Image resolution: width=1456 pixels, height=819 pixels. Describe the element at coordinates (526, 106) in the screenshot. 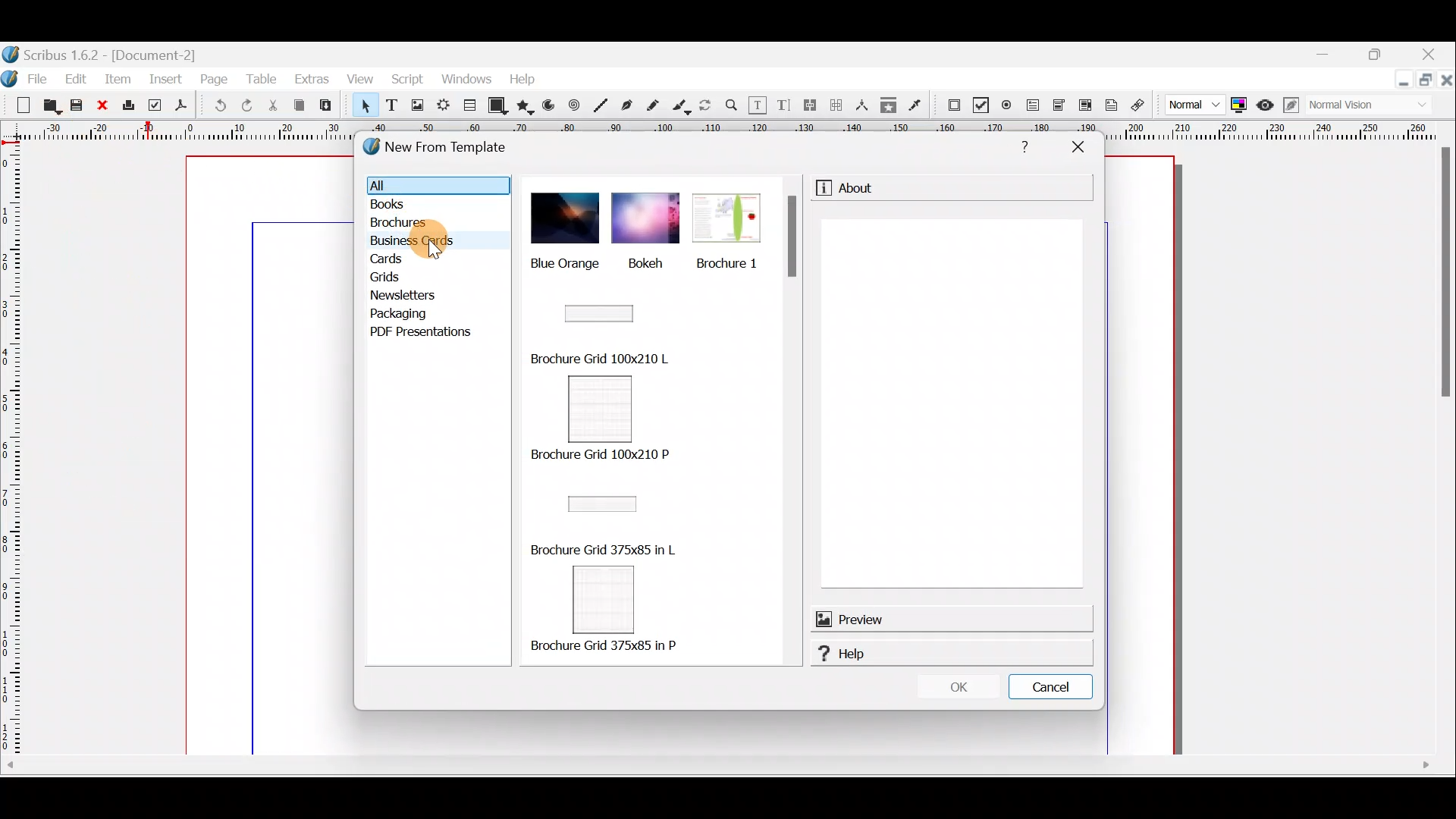

I see `Polygon` at that location.